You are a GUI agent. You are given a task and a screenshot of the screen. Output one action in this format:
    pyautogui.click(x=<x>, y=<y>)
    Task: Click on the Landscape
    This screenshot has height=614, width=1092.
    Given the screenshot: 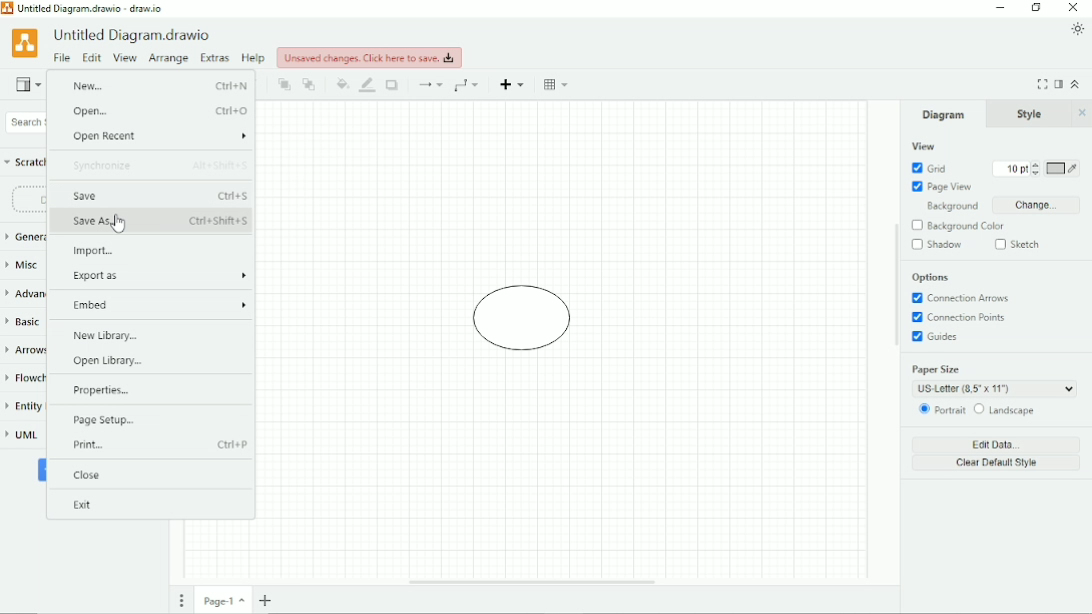 What is the action you would take?
    pyautogui.click(x=1004, y=409)
    